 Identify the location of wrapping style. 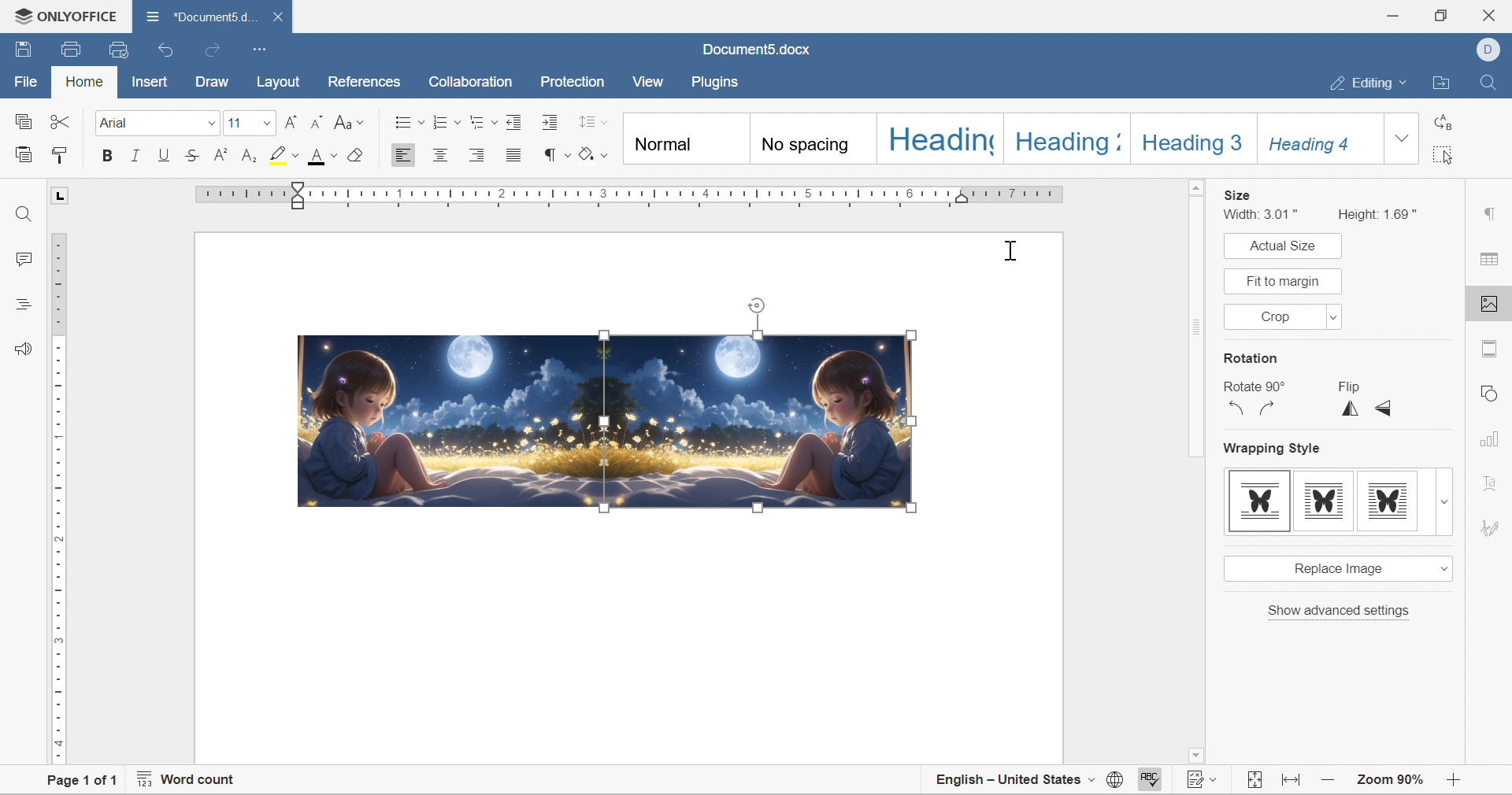
(1274, 451).